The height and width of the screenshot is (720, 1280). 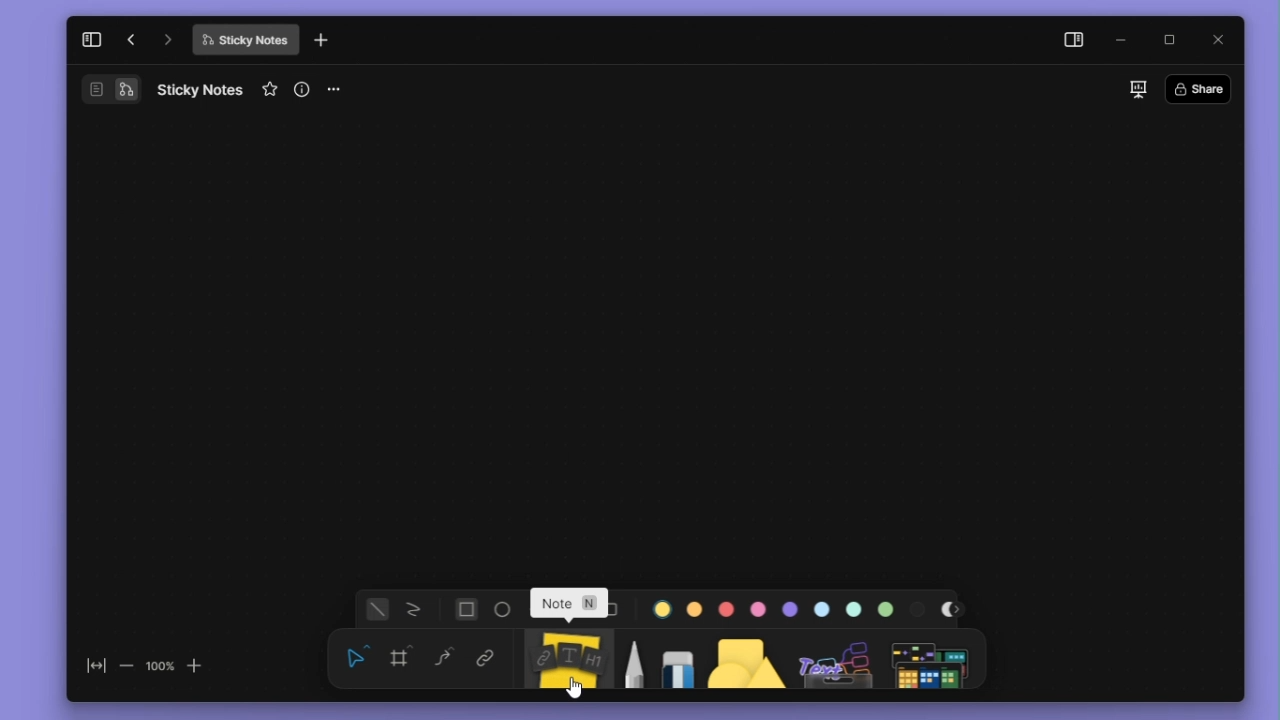 I want to click on more, so click(x=338, y=88).